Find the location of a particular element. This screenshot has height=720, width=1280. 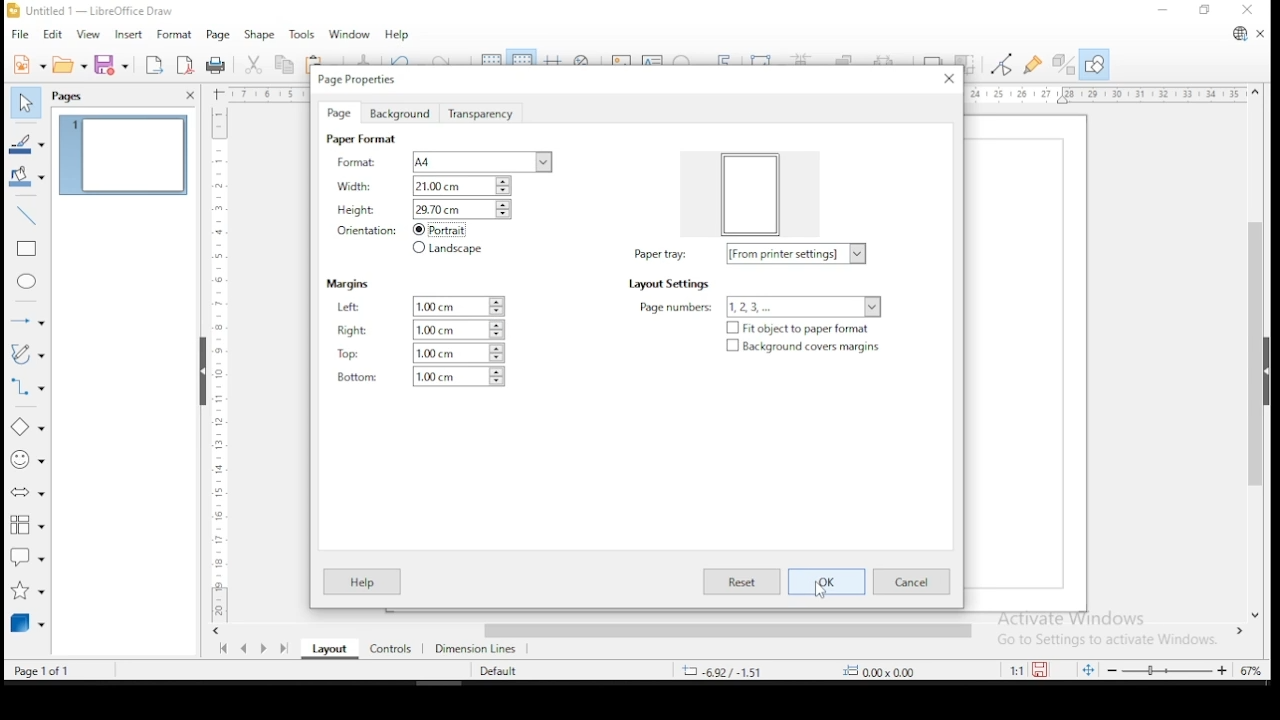

top margin settings is located at coordinates (420, 353).